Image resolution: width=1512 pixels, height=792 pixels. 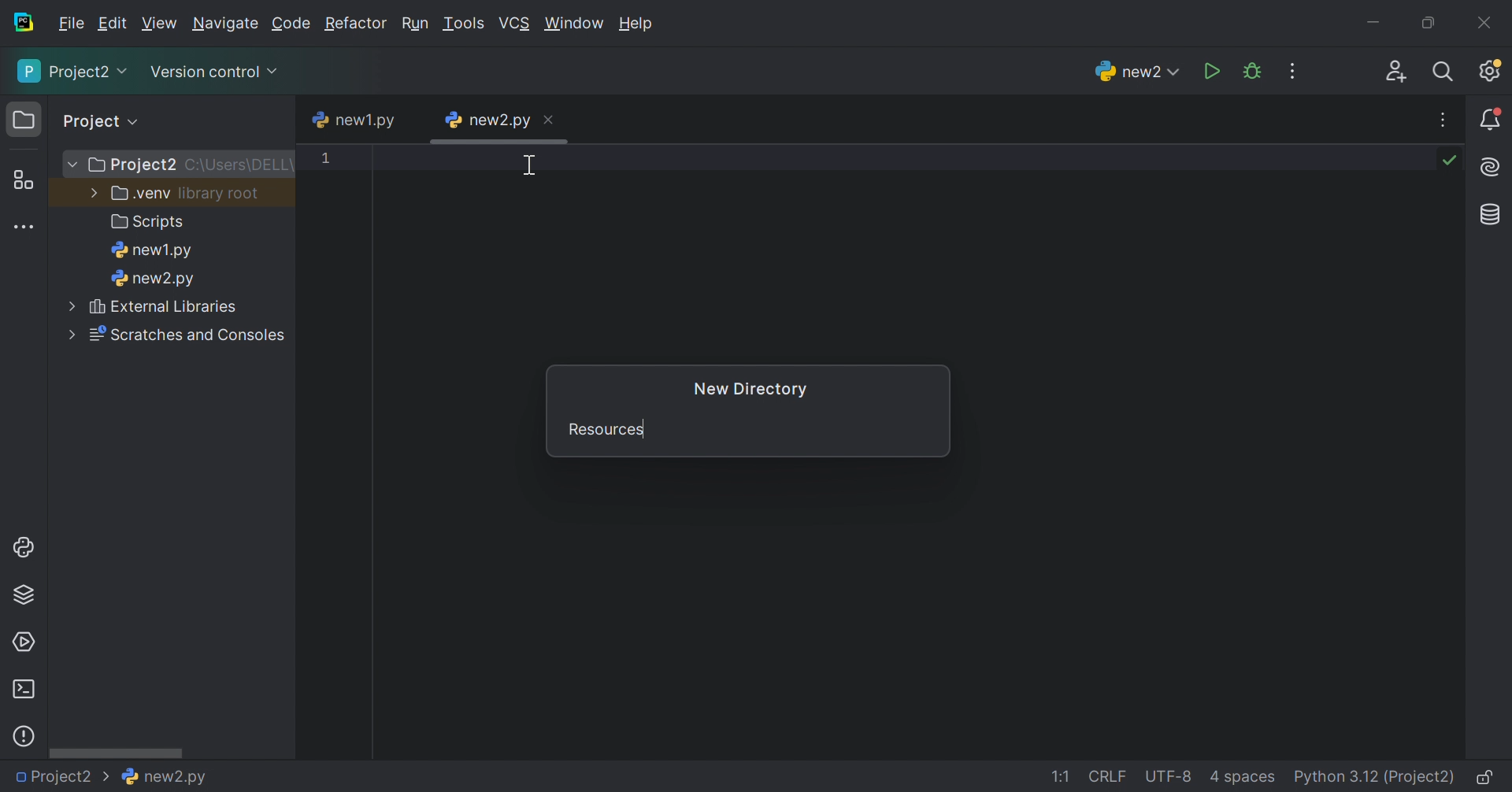 What do you see at coordinates (1446, 74) in the screenshot?
I see `Search everywhere` at bounding box center [1446, 74].